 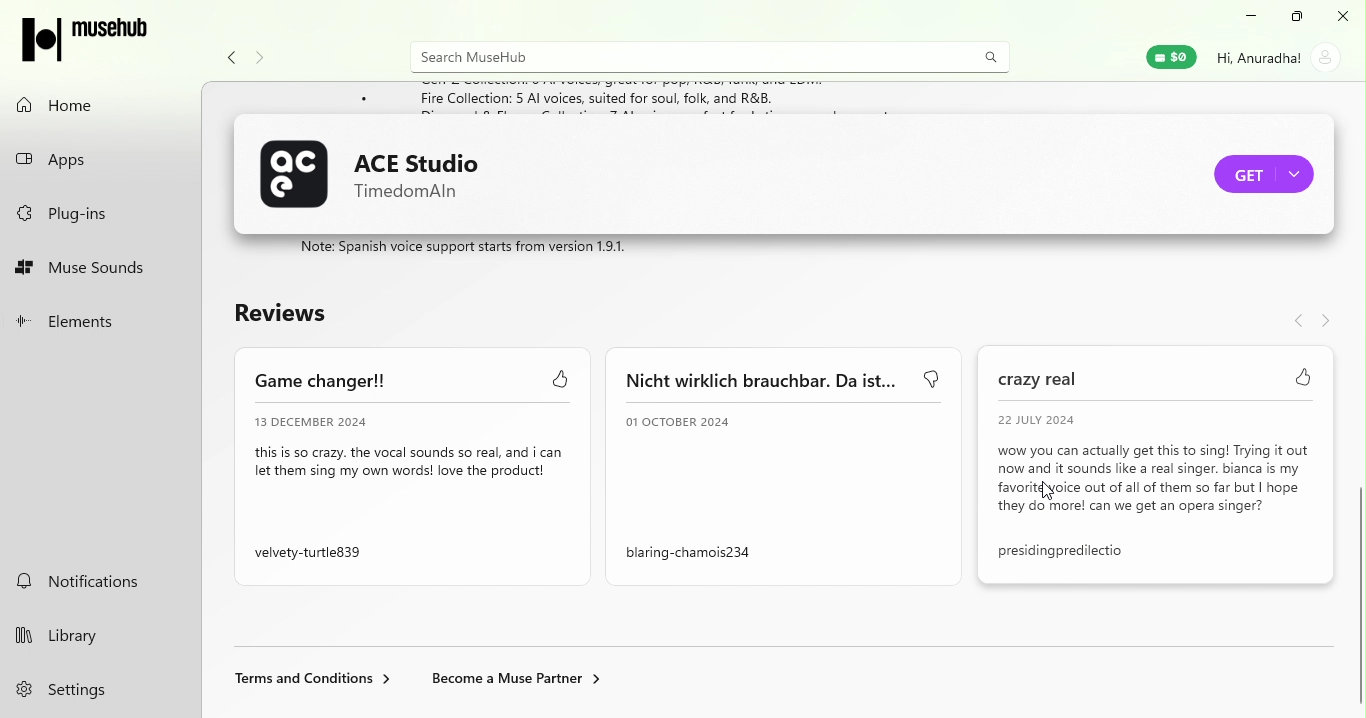 What do you see at coordinates (987, 56) in the screenshot?
I see `search` at bounding box center [987, 56].